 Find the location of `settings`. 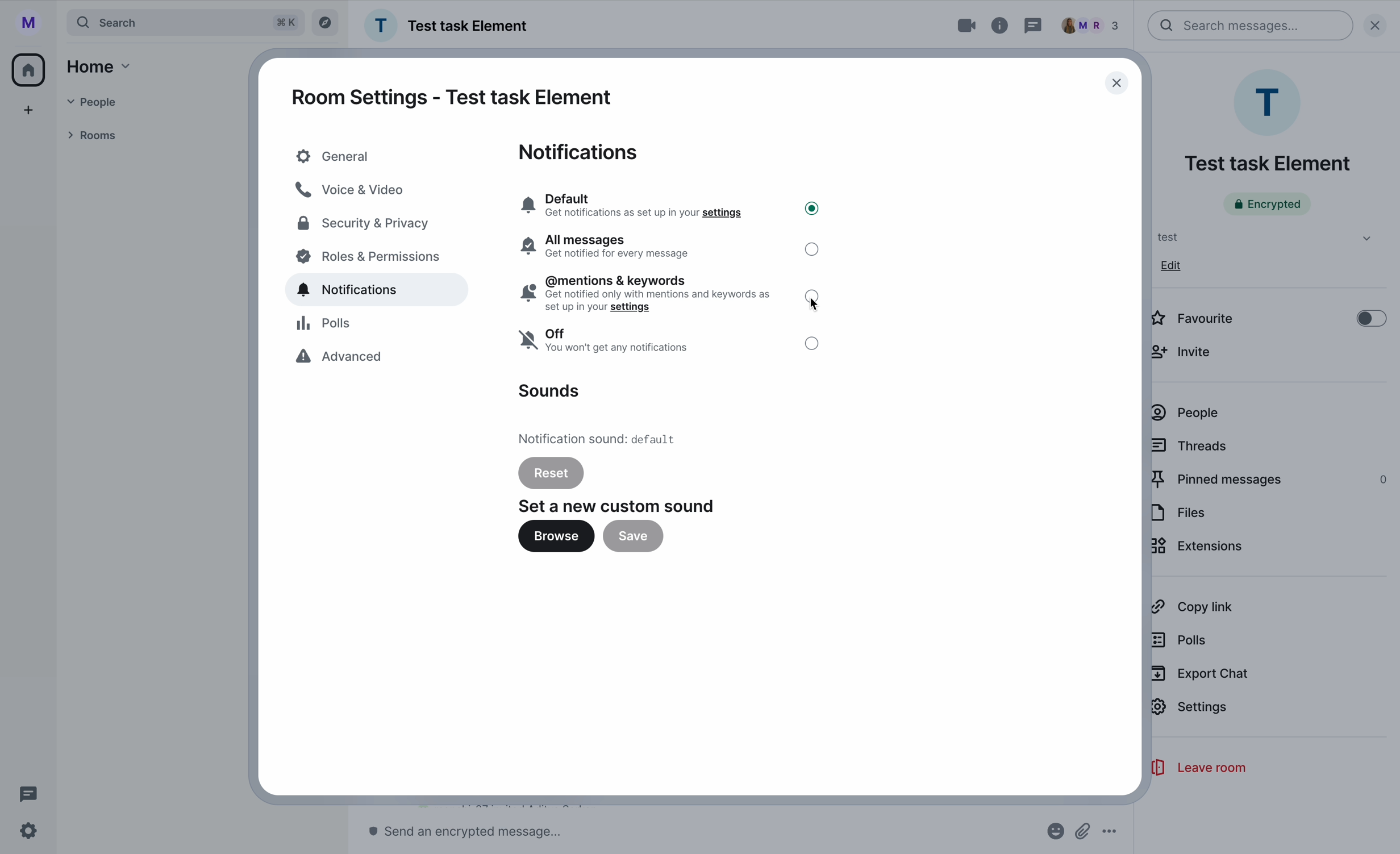

settings is located at coordinates (29, 832).